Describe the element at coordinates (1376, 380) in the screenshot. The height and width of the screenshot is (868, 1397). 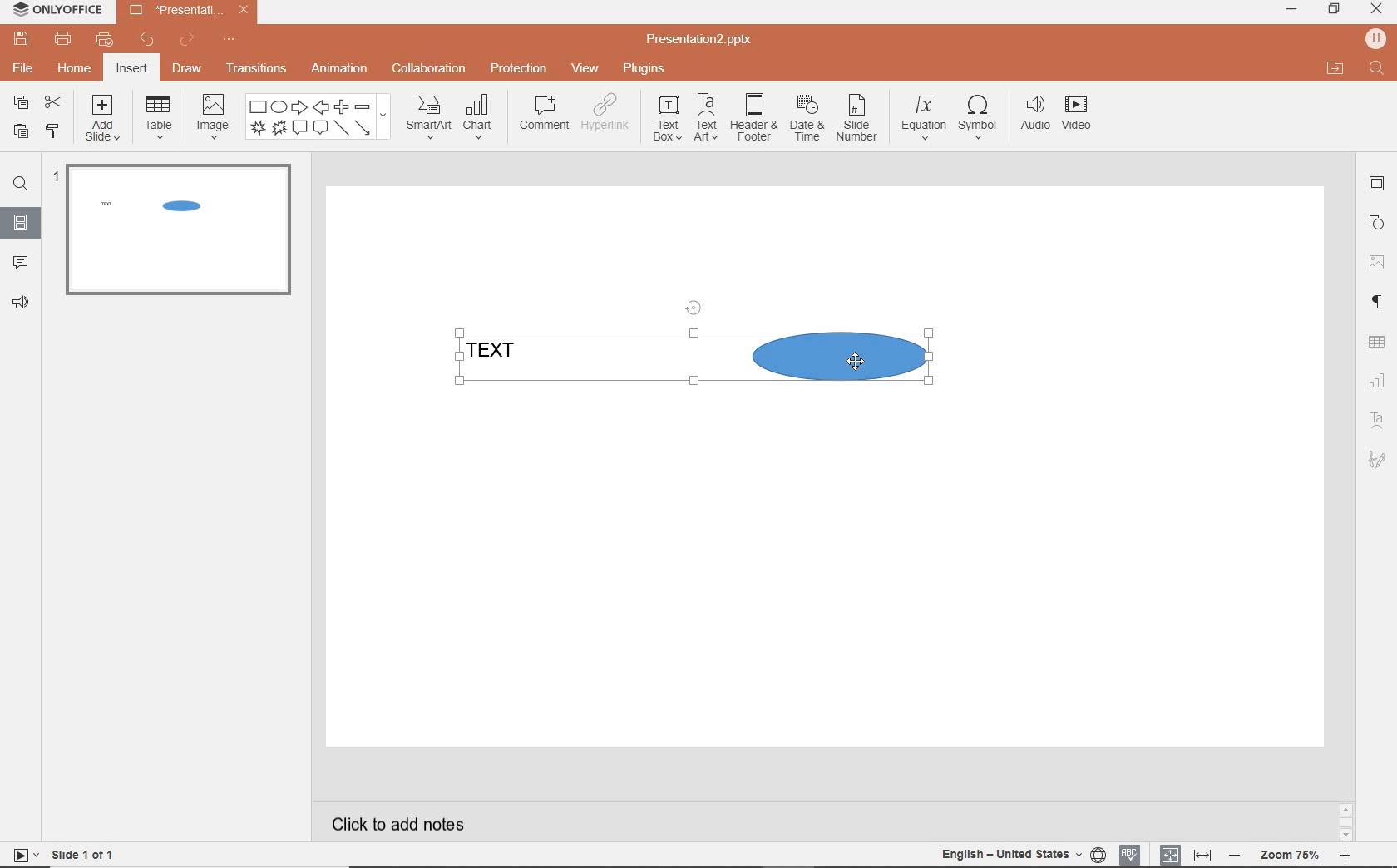
I see `Chart settings` at that location.